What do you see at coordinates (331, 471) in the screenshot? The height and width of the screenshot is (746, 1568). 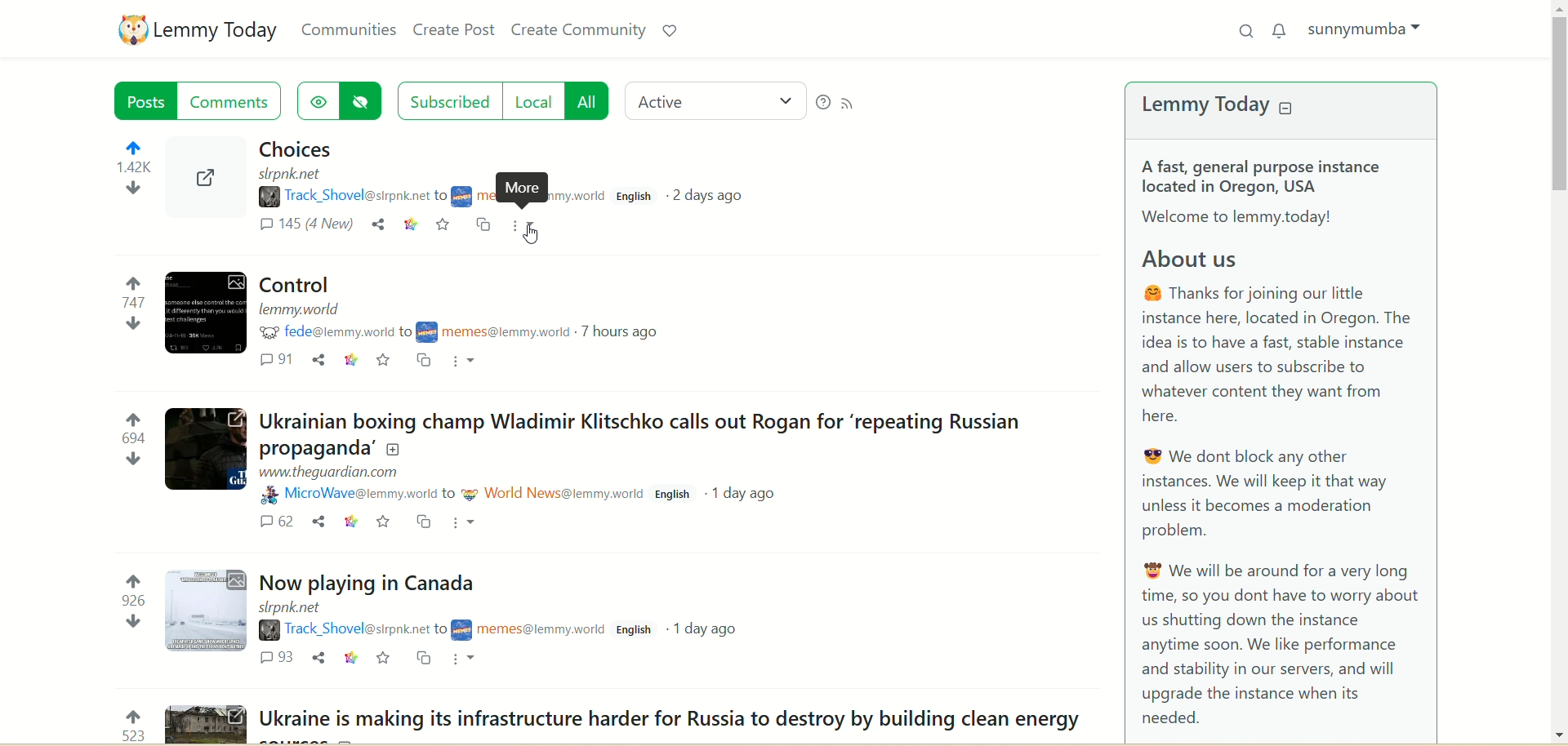 I see `URL` at bounding box center [331, 471].